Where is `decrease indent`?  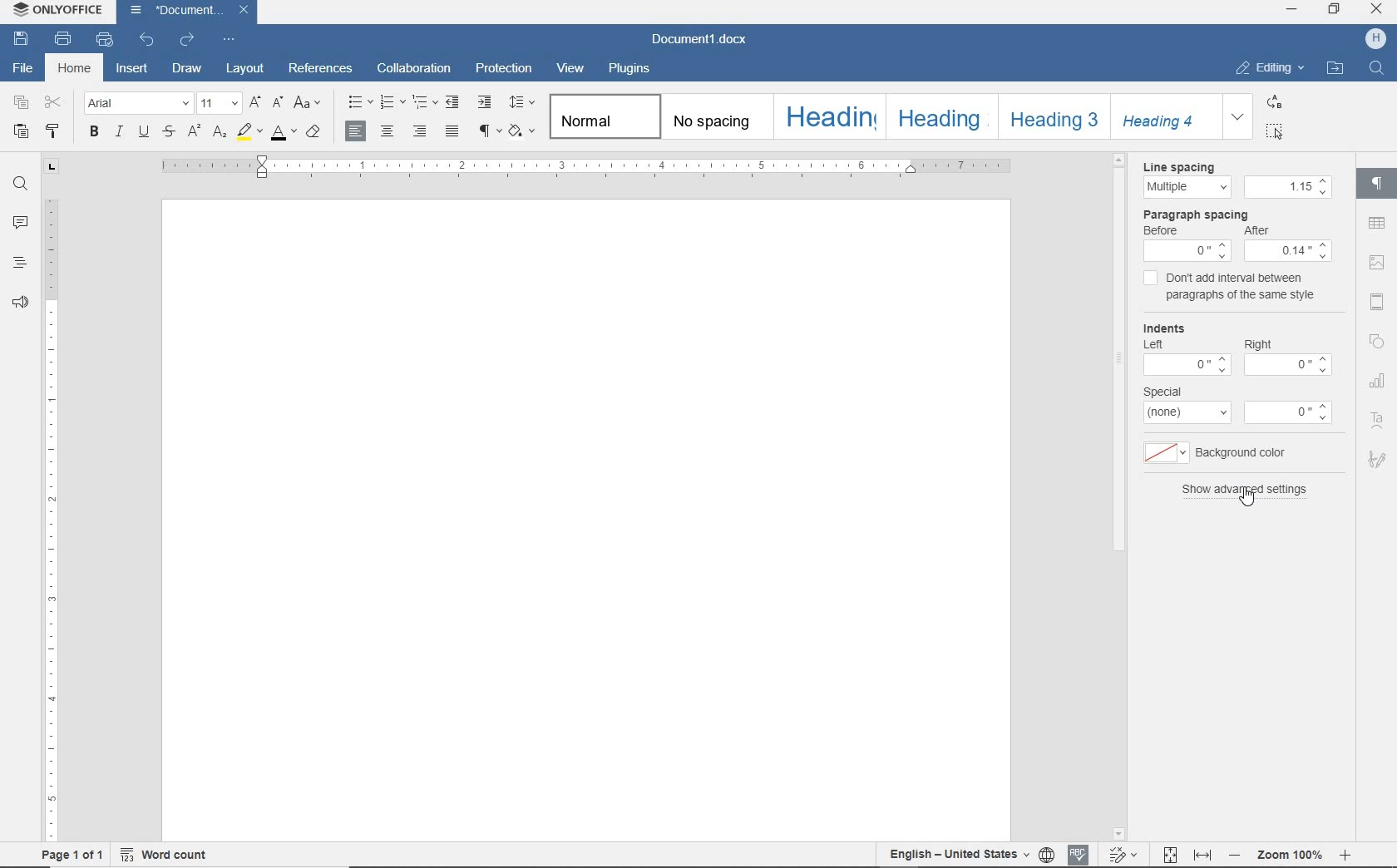 decrease indent is located at coordinates (455, 101).